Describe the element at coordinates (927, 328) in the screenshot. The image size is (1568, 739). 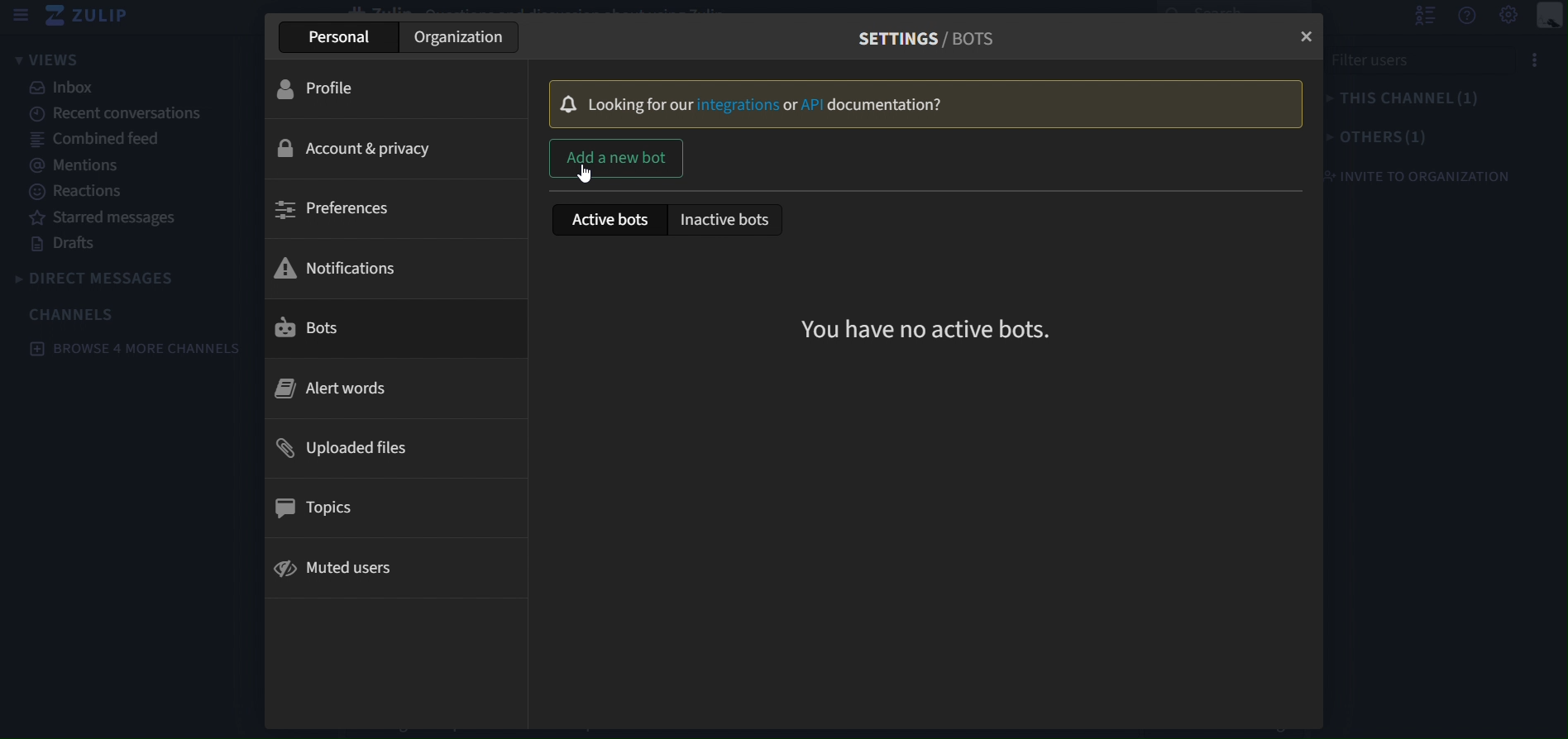
I see `You have no active bot.` at that location.